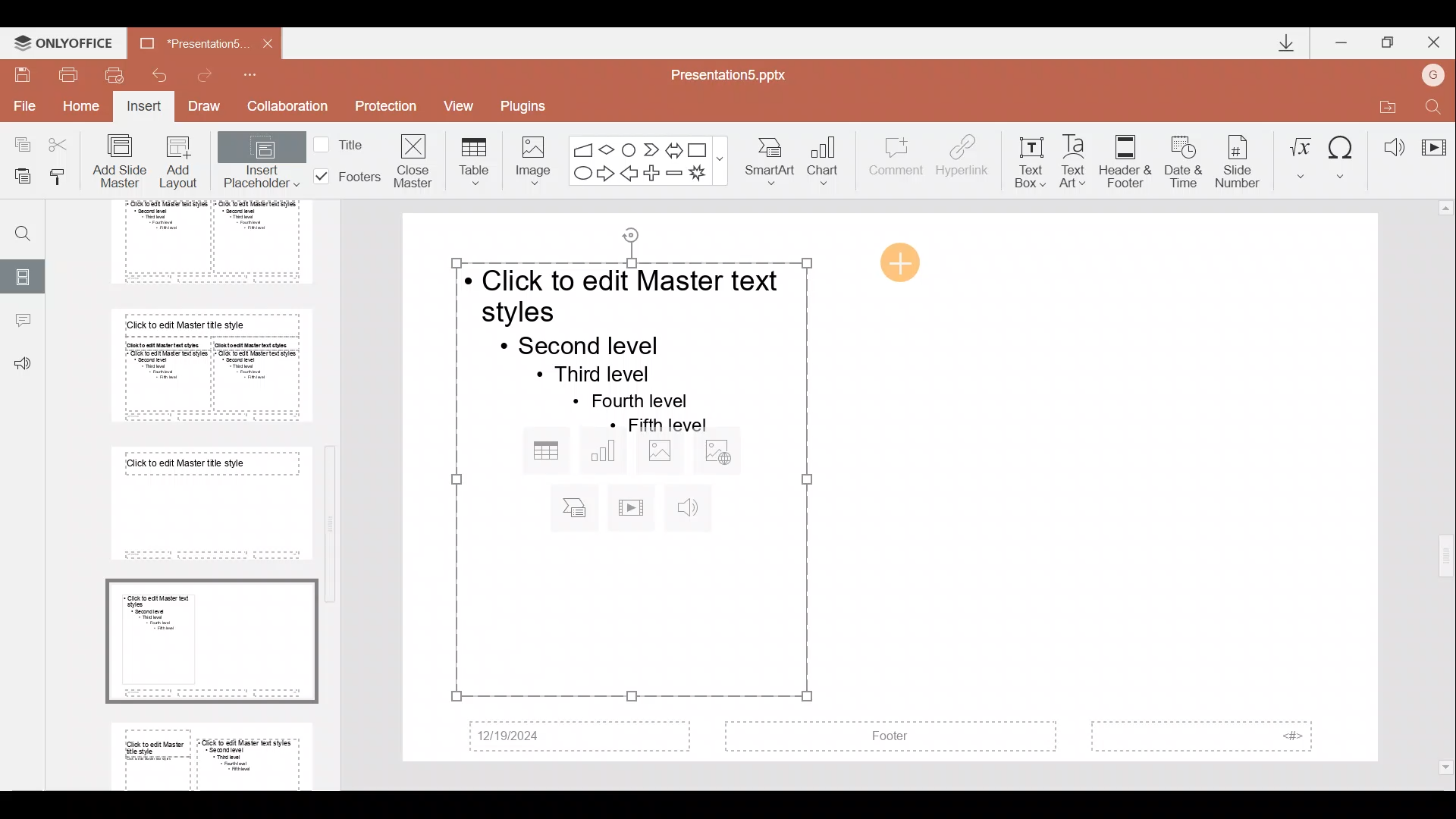 The image size is (1456, 819). Describe the element at coordinates (773, 162) in the screenshot. I see `SmartArt` at that location.